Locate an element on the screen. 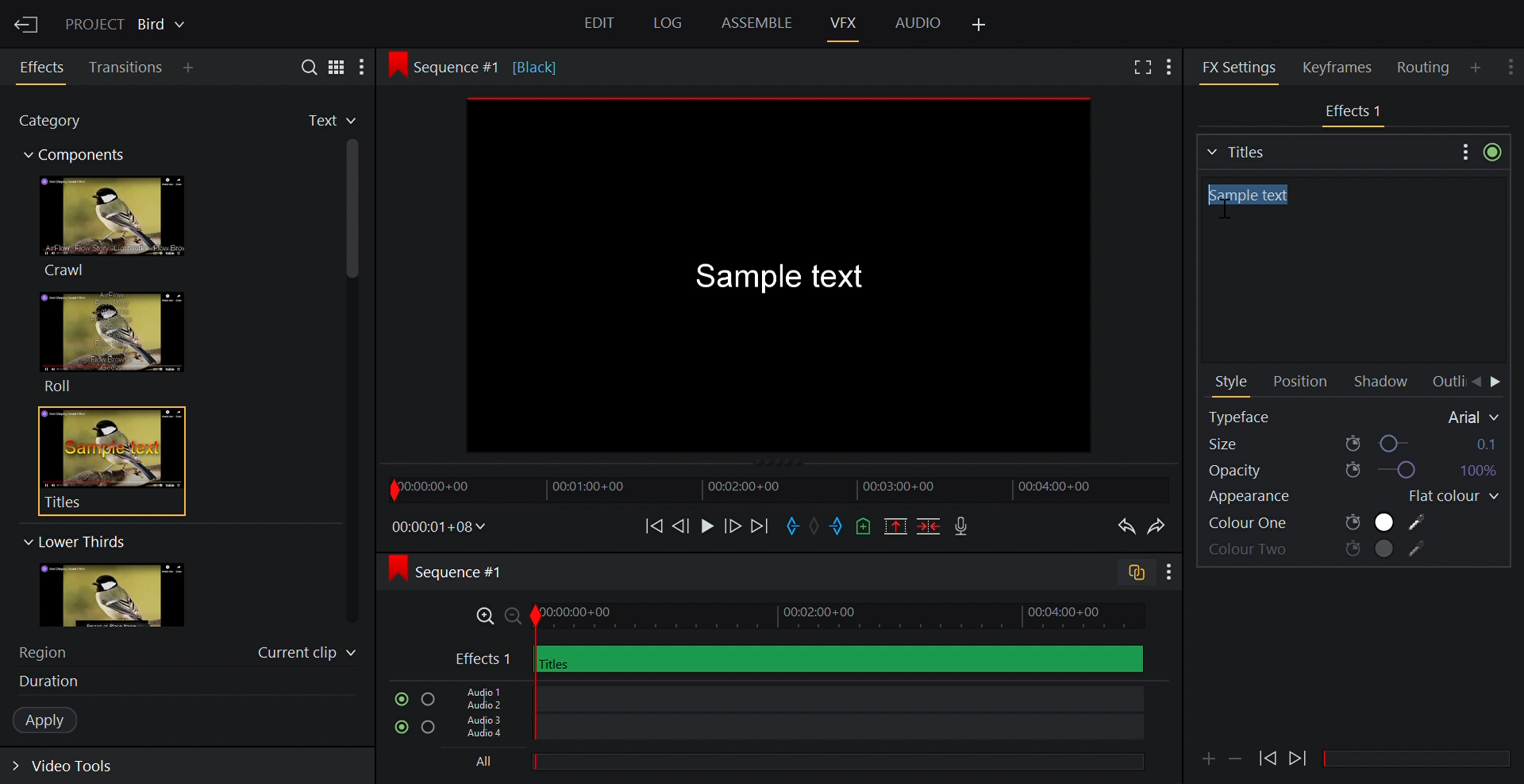 Image resolution: width=1524 pixels, height=784 pixels. Show settings menu is located at coordinates (1512, 63).